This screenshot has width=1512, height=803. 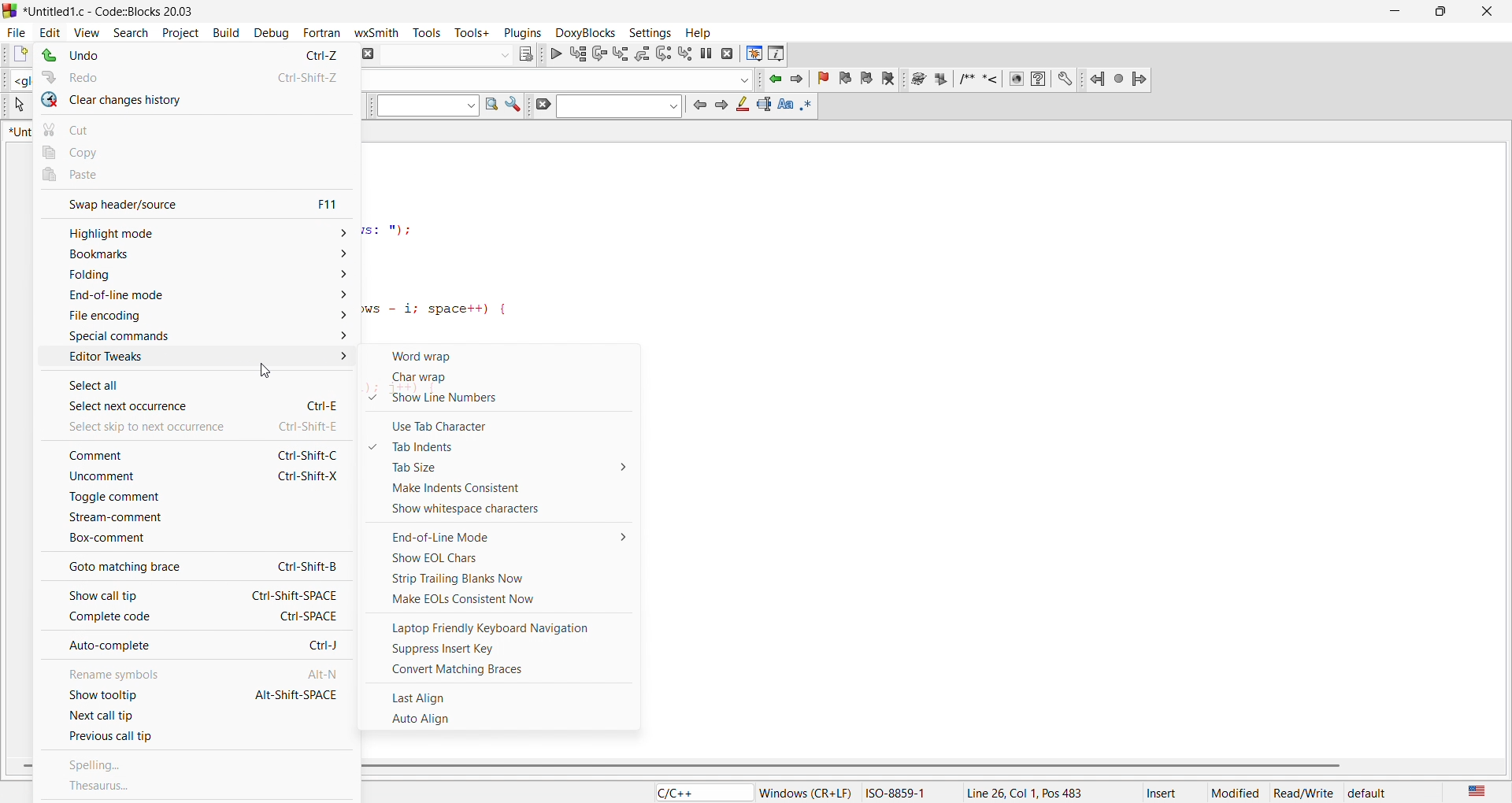 I want to click on f11, so click(x=331, y=204).